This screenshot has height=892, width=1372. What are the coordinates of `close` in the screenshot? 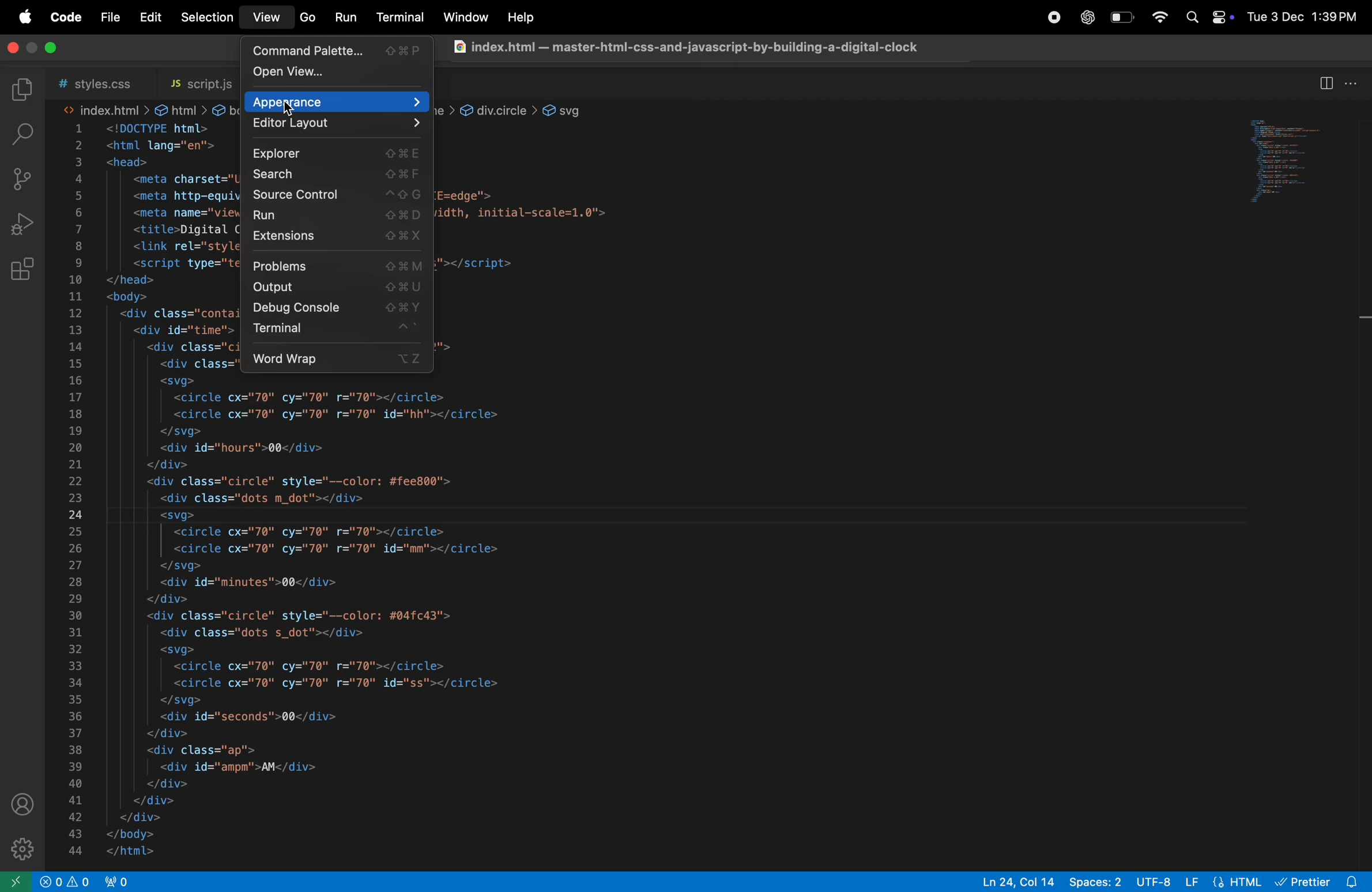 It's located at (10, 46).